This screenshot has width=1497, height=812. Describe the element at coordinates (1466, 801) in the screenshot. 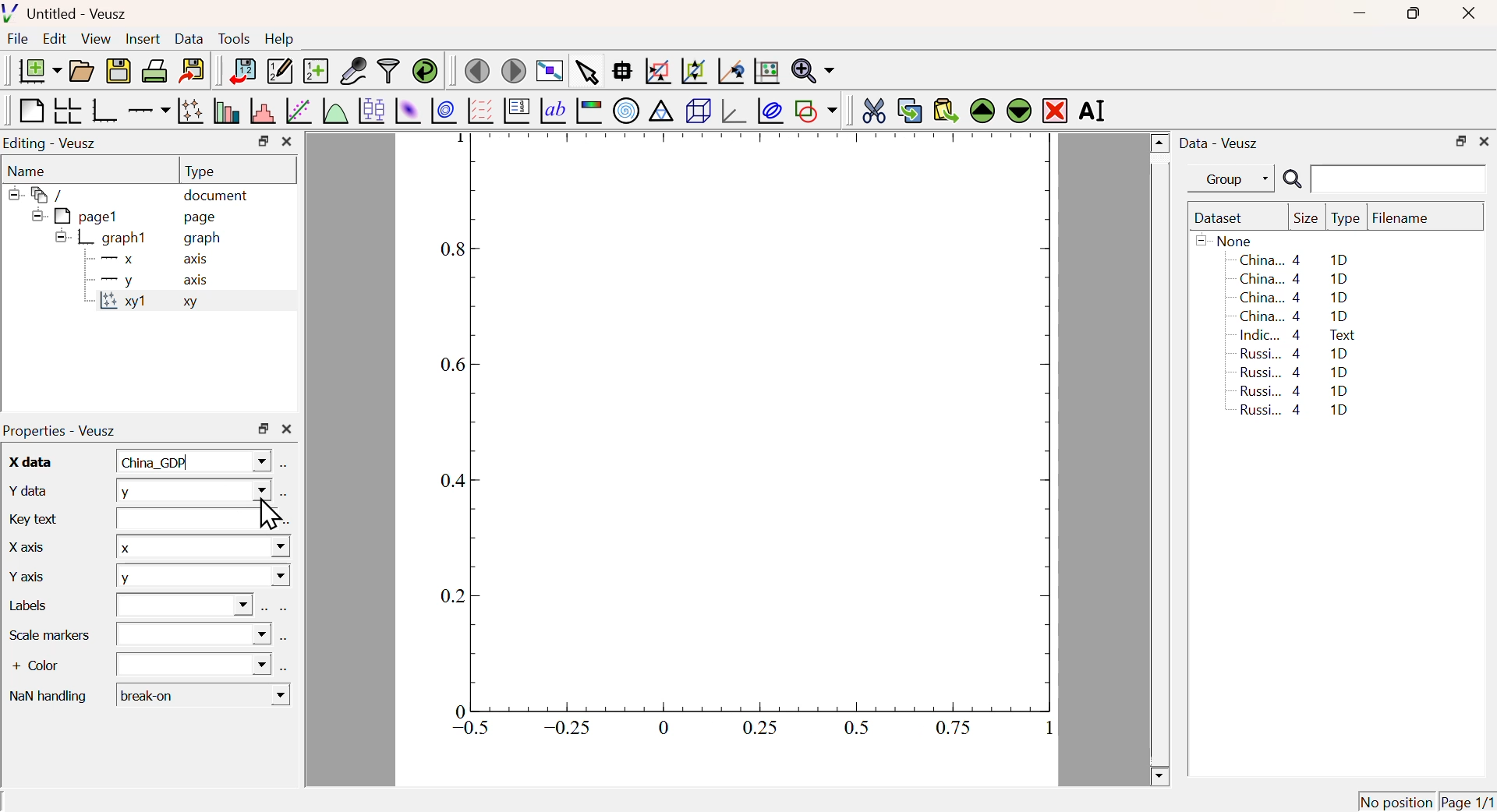

I see `Page 1/1` at that location.